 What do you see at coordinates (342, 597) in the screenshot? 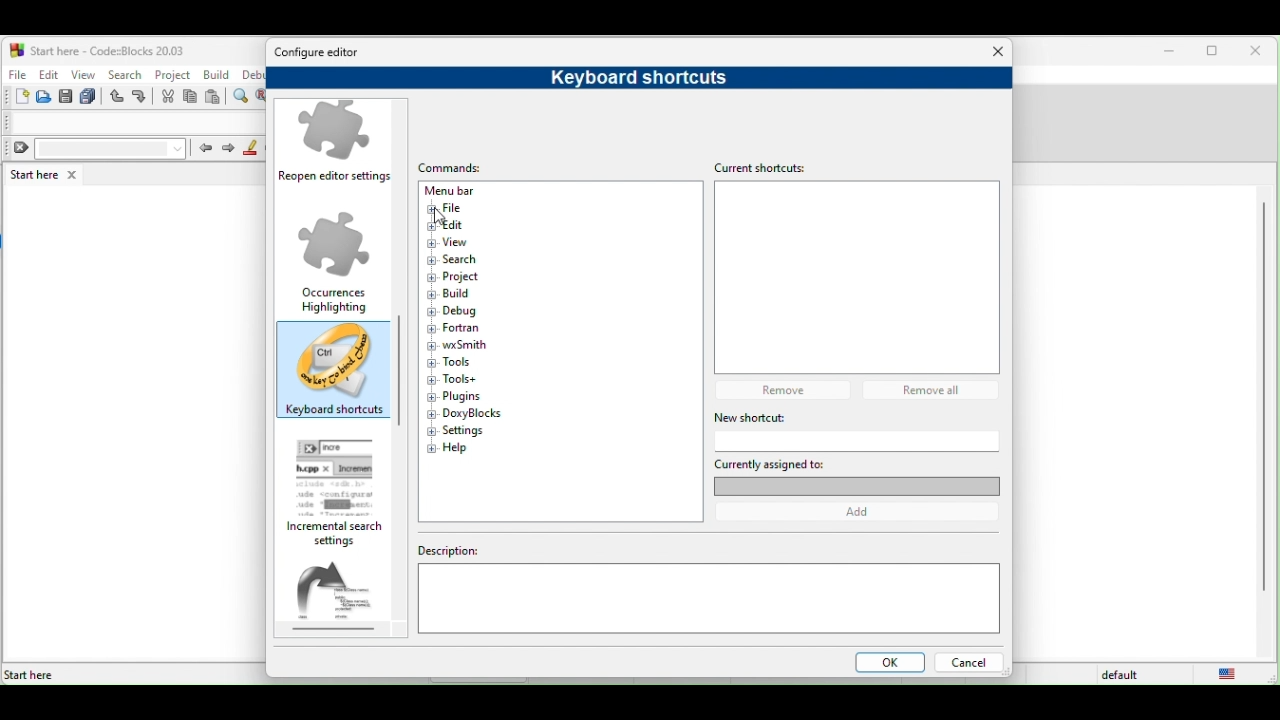
I see `abbreviations` at bounding box center [342, 597].